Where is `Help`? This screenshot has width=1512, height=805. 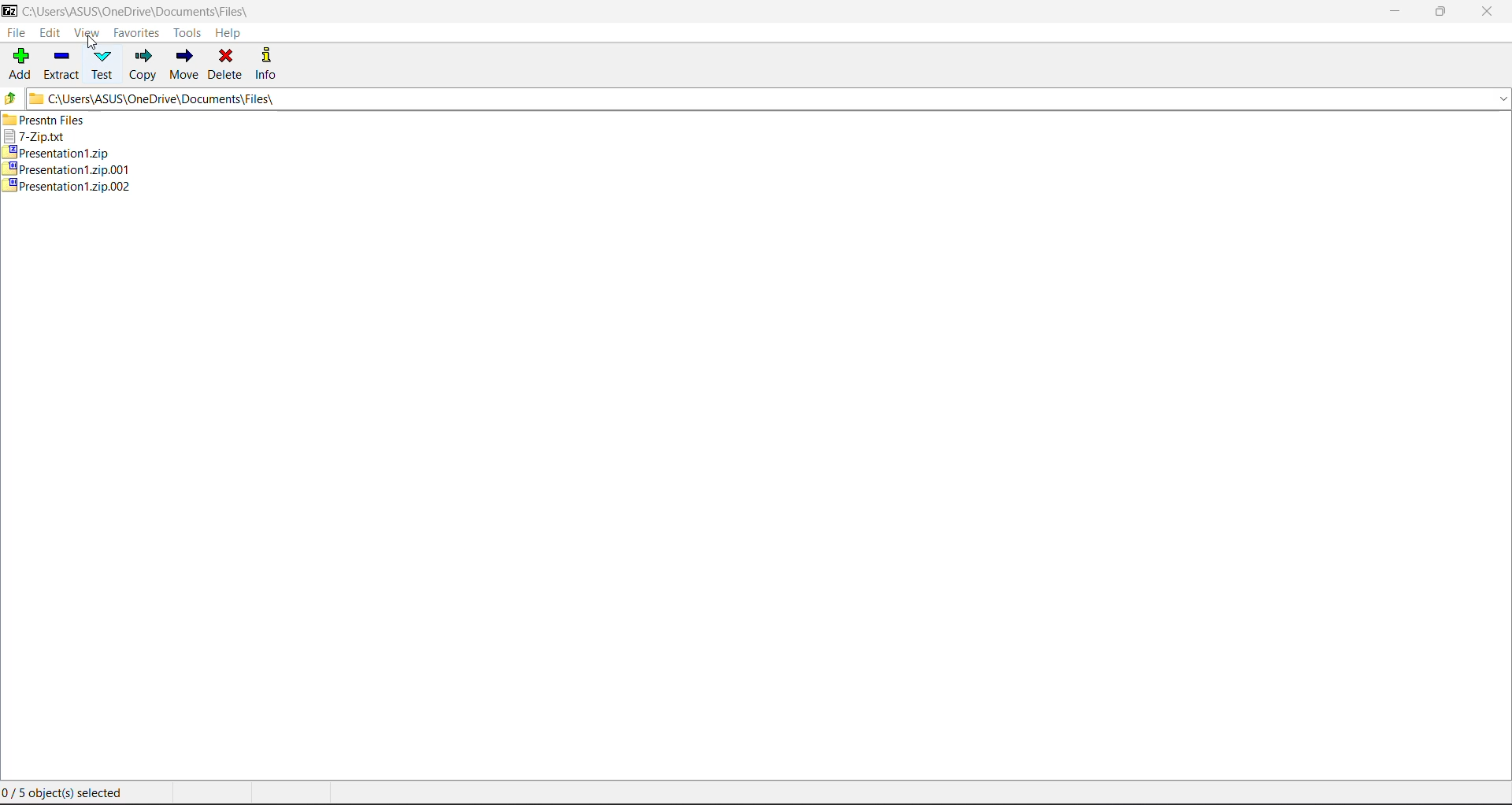 Help is located at coordinates (233, 35).